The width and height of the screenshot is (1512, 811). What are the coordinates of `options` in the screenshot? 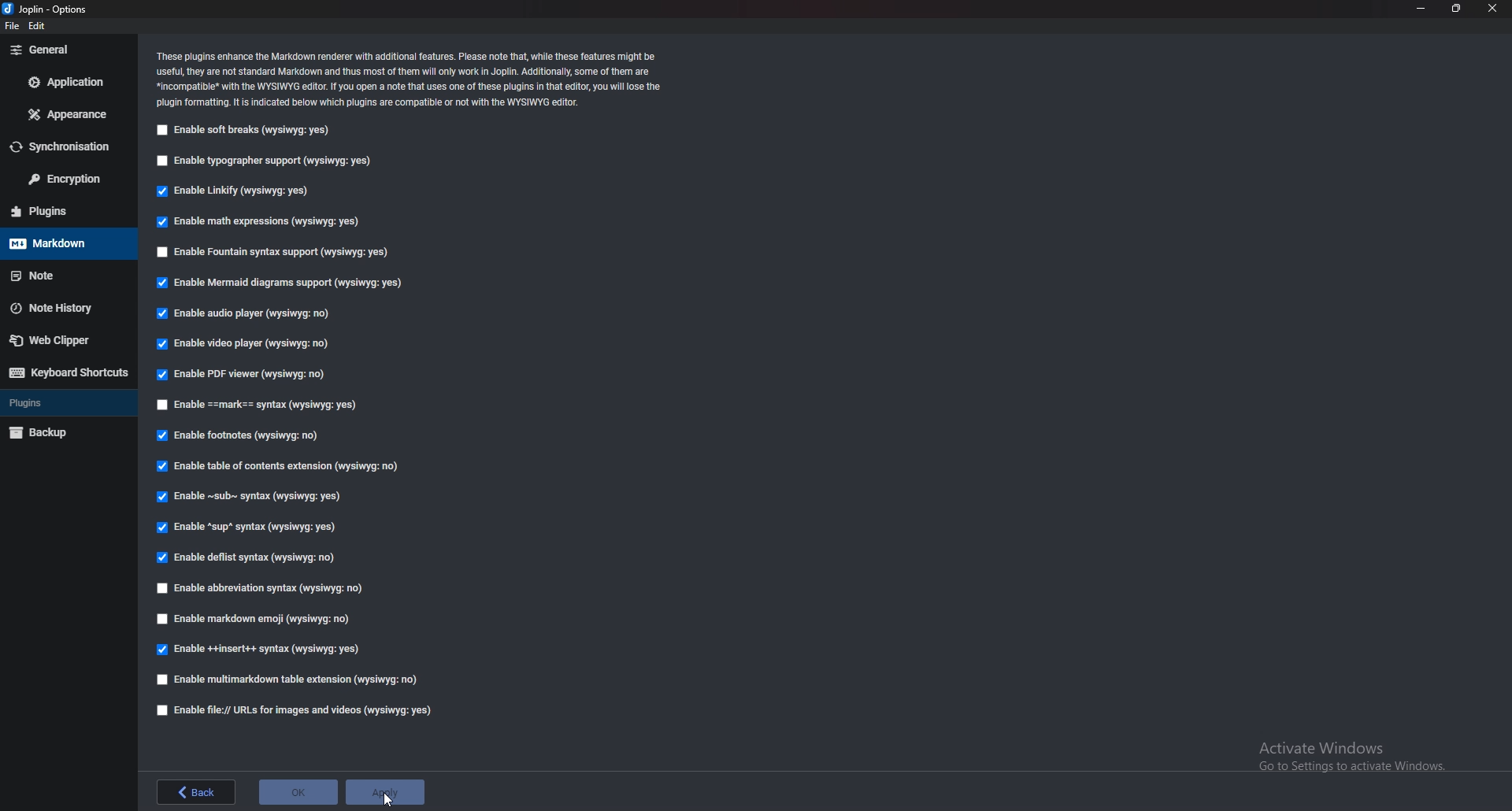 It's located at (49, 10).